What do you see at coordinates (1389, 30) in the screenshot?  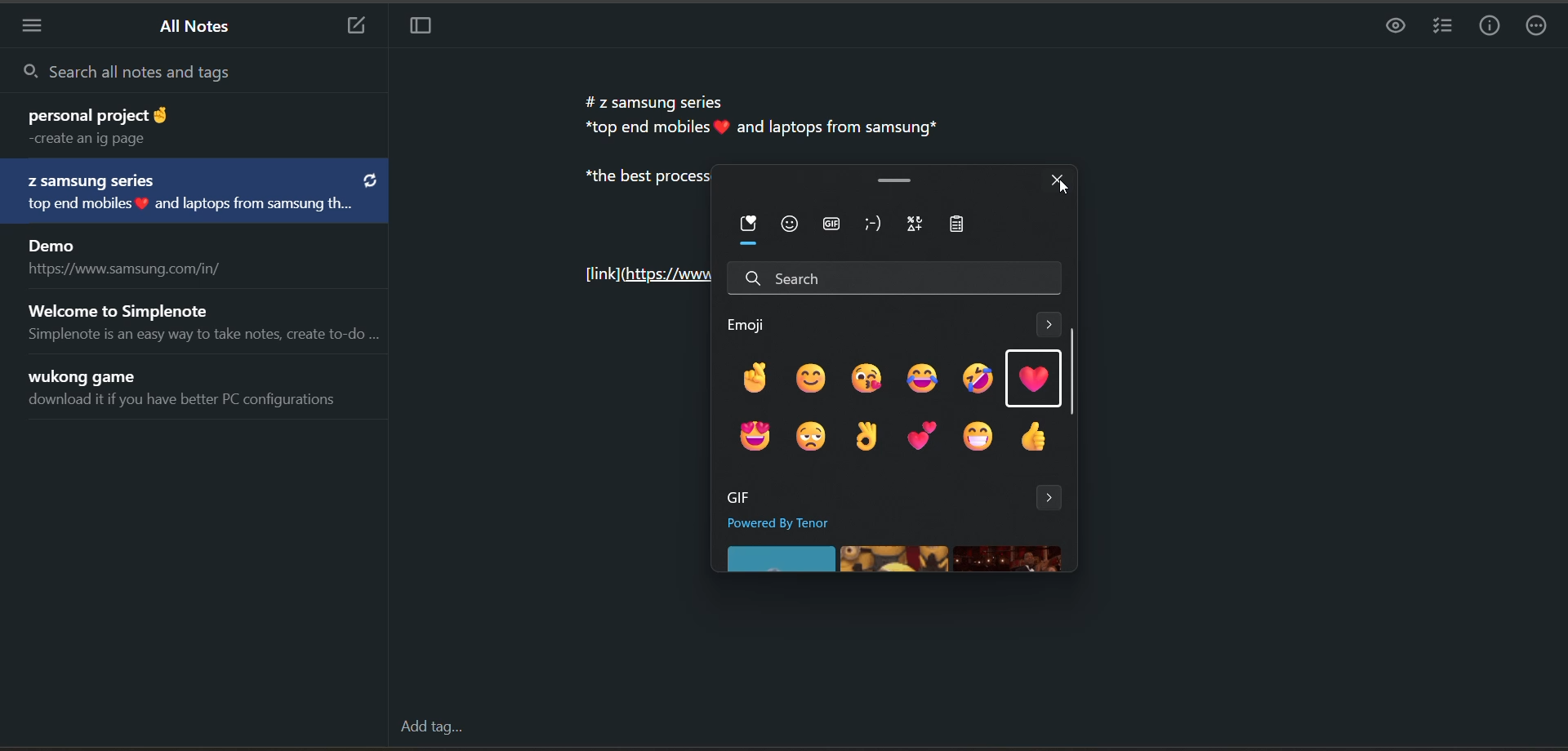 I see `preview` at bounding box center [1389, 30].